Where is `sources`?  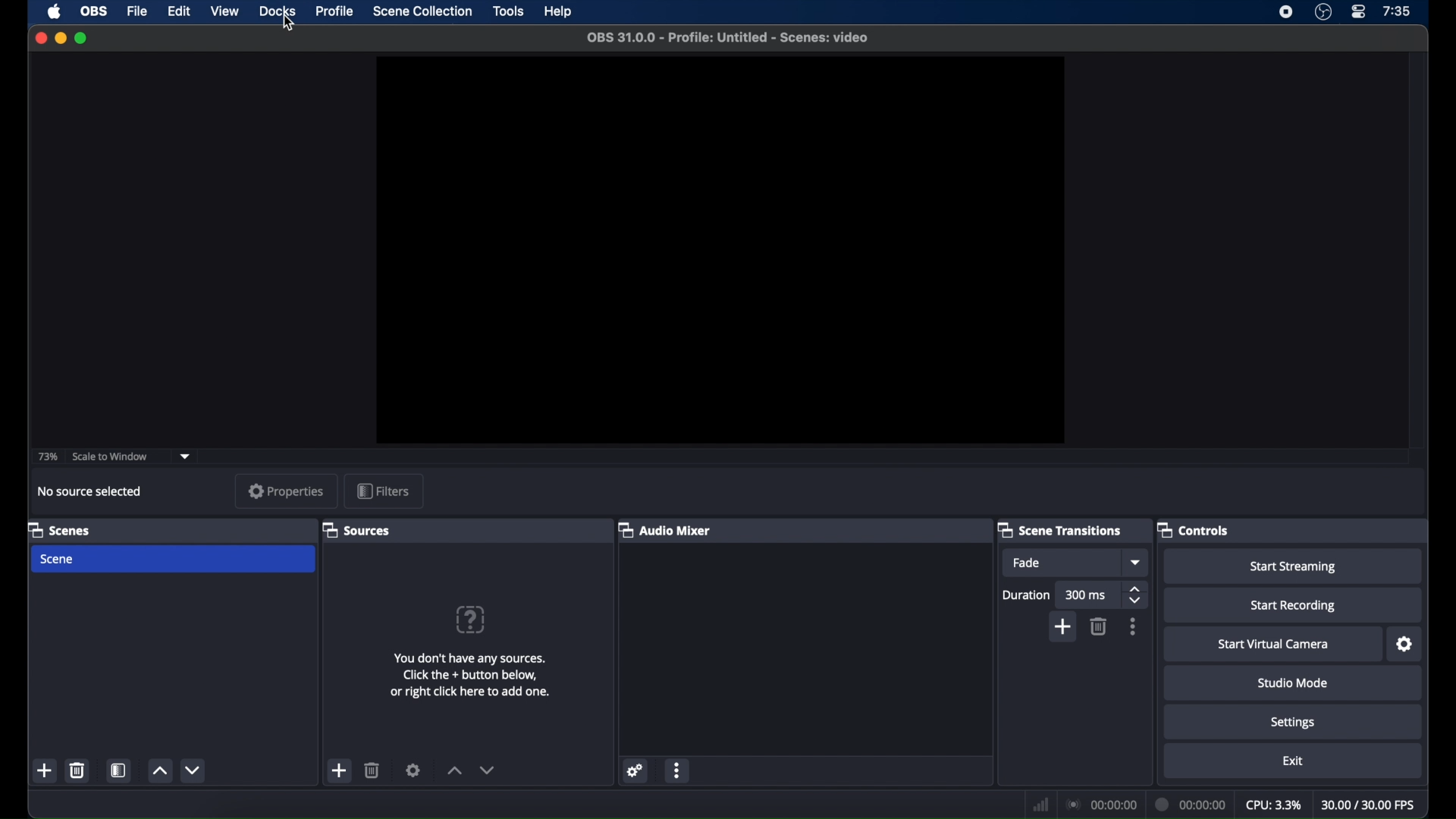 sources is located at coordinates (358, 529).